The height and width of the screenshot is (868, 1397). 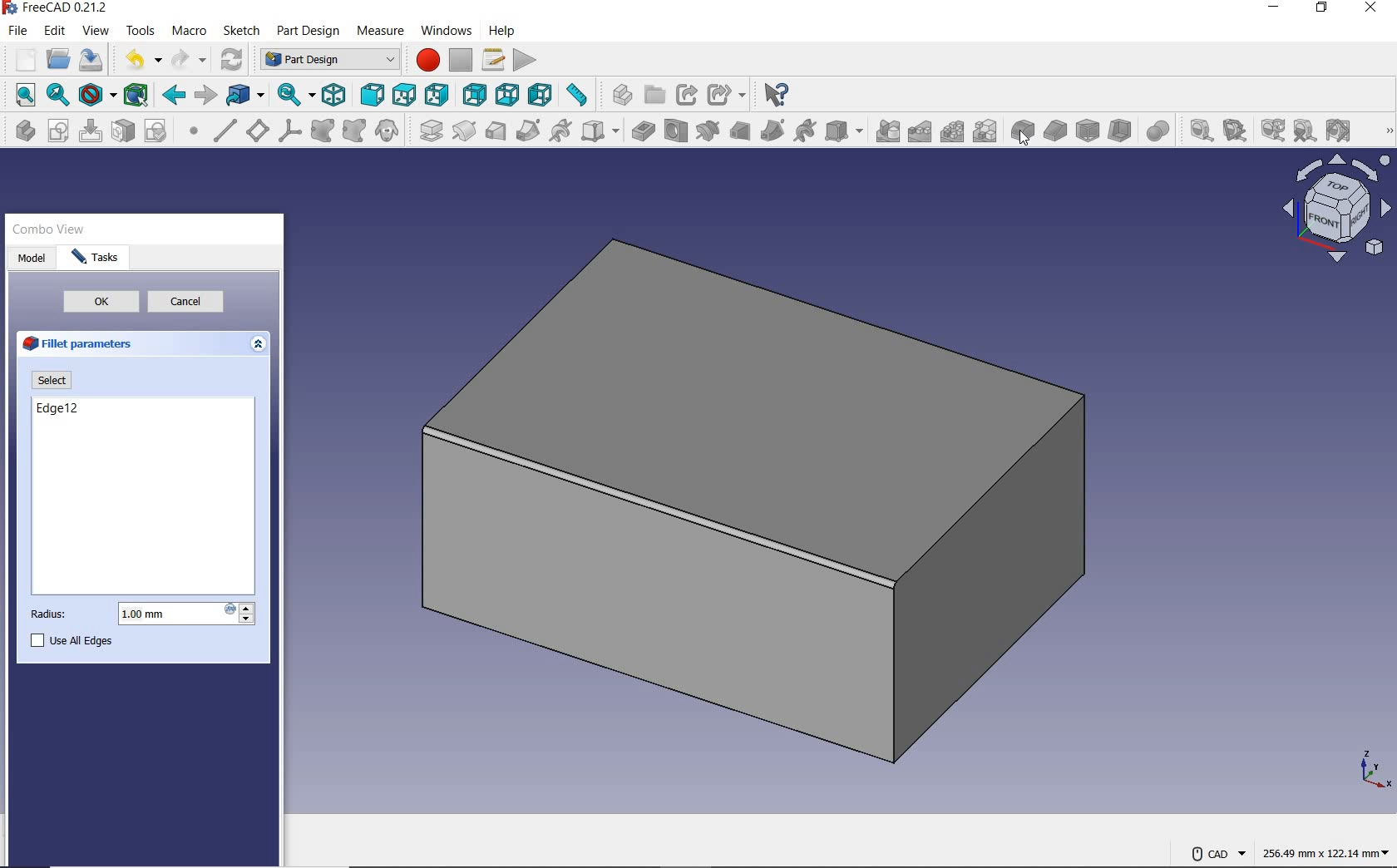 What do you see at coordinates (1321, 9) in the screenshot?
I see `restore down` at bounding box center [1321, 9].